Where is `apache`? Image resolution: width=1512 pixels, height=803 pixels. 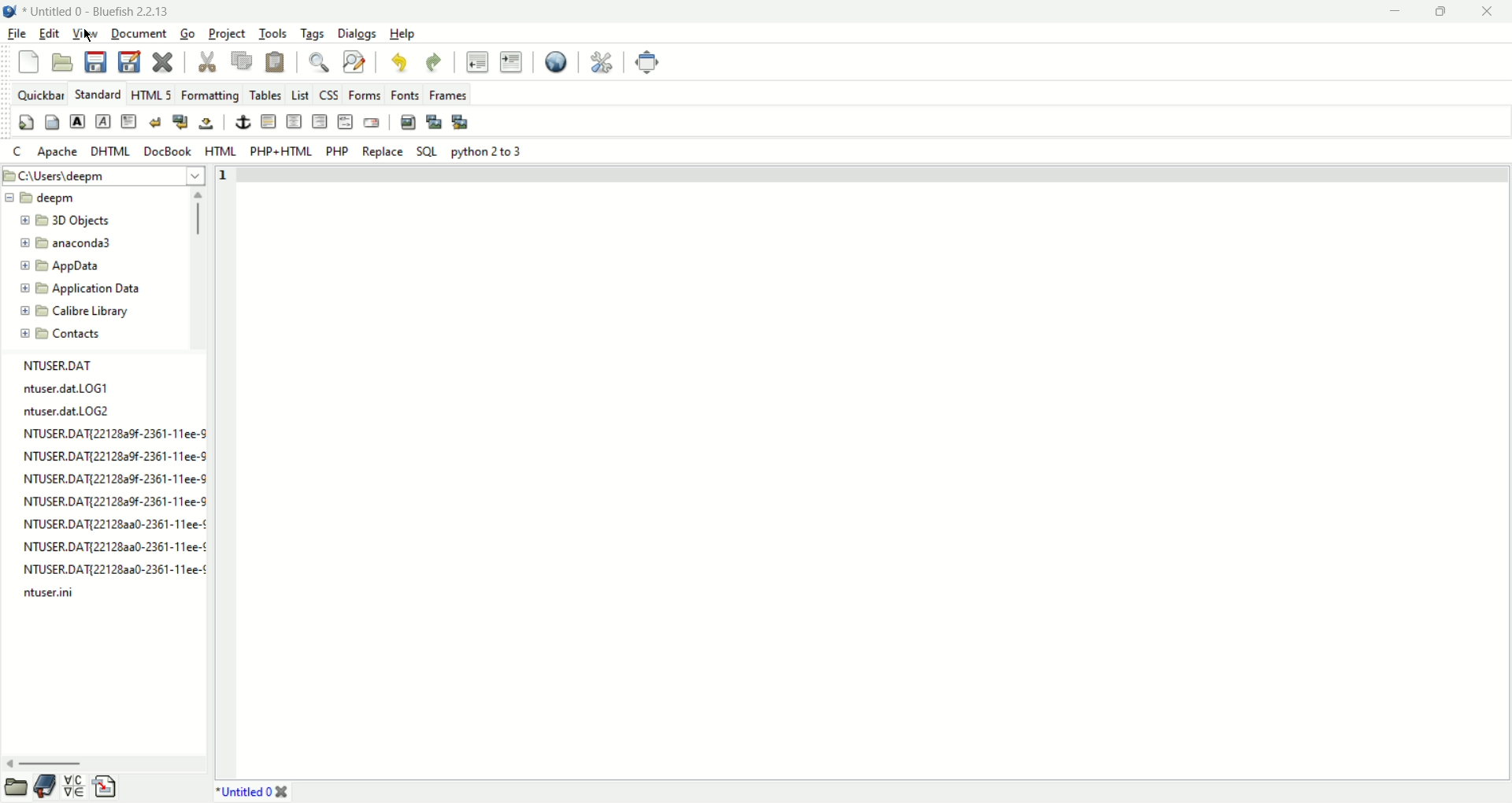
apache is located at coordinates (59, 152).